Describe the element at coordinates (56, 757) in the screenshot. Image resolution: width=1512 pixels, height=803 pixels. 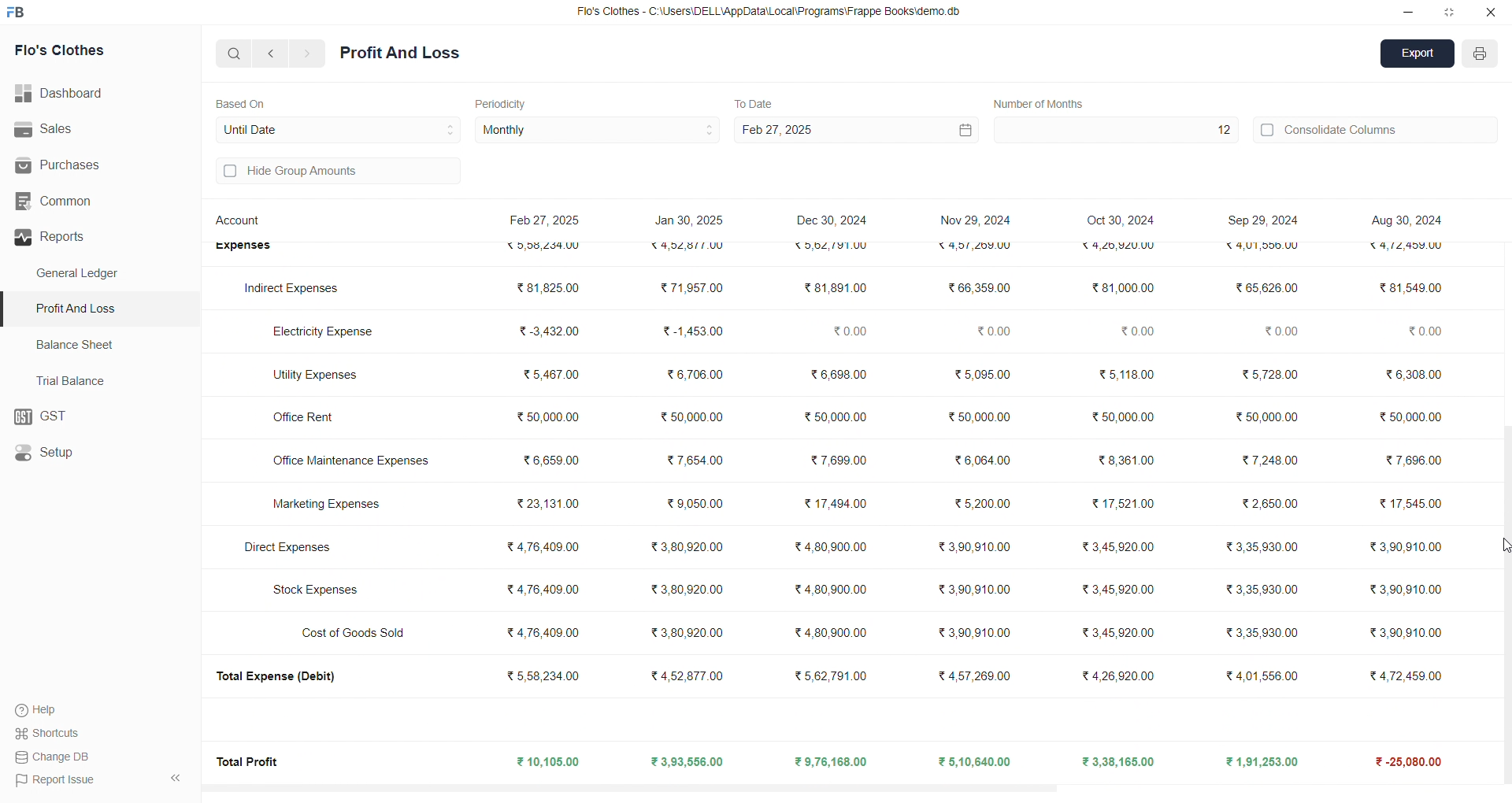
I see `Change DB` at that location.